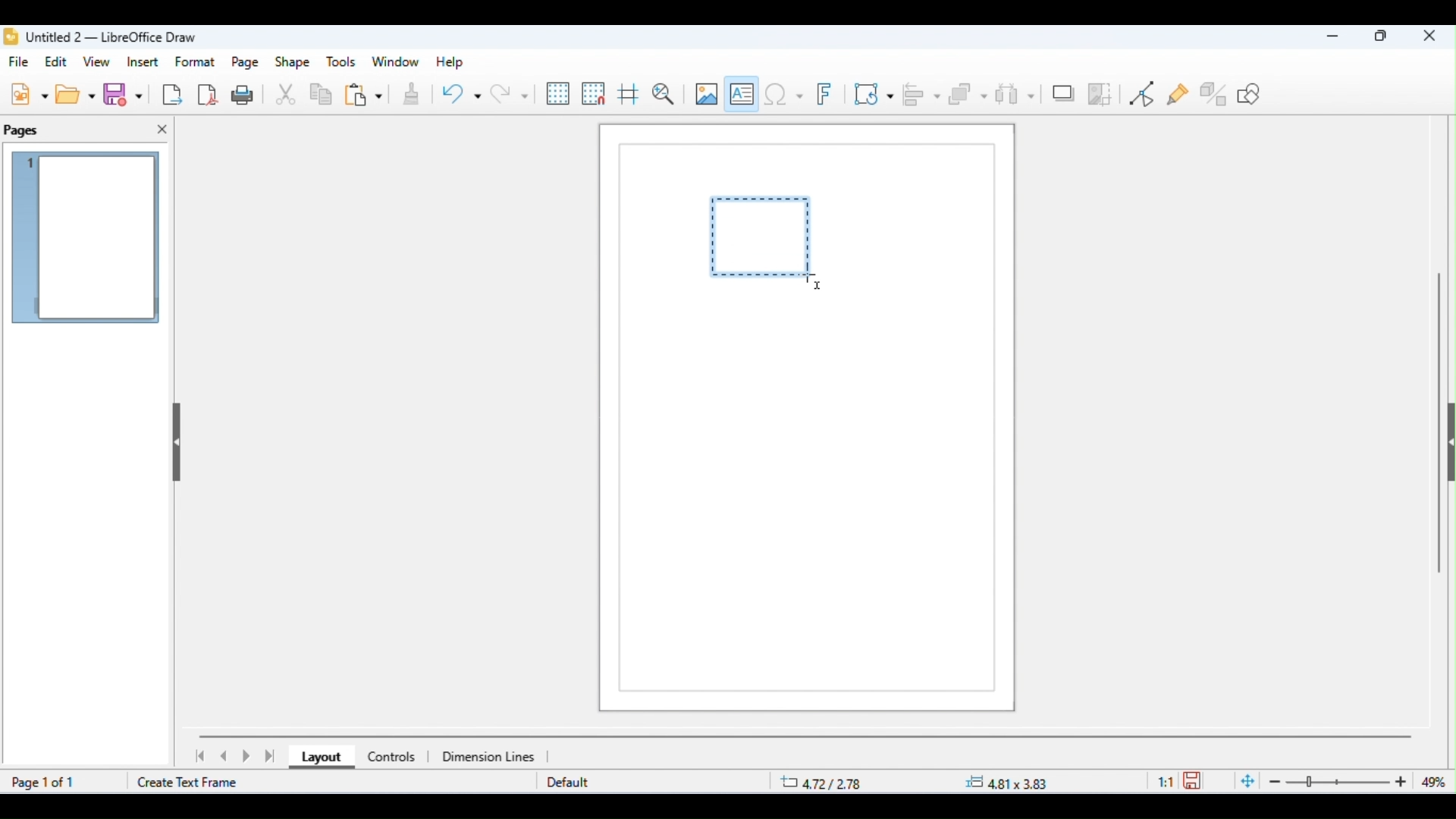 The image size is (1456, 819). I want to click on next page, so click(249, 757).